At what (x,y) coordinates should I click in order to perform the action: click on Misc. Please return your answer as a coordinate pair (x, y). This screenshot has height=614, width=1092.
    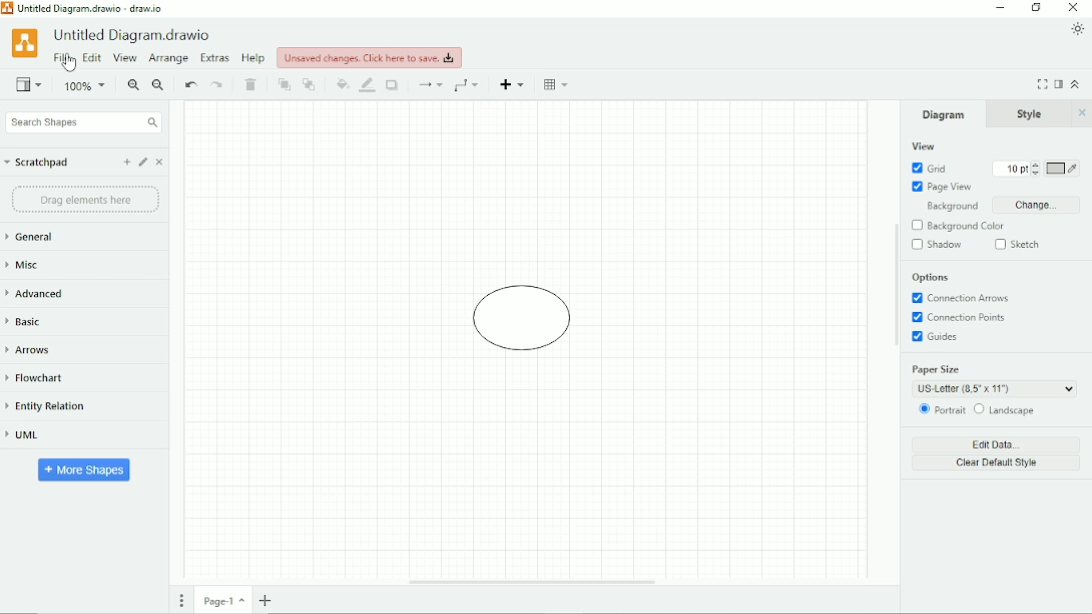
    Looking at the image, I should click on (27, 265).